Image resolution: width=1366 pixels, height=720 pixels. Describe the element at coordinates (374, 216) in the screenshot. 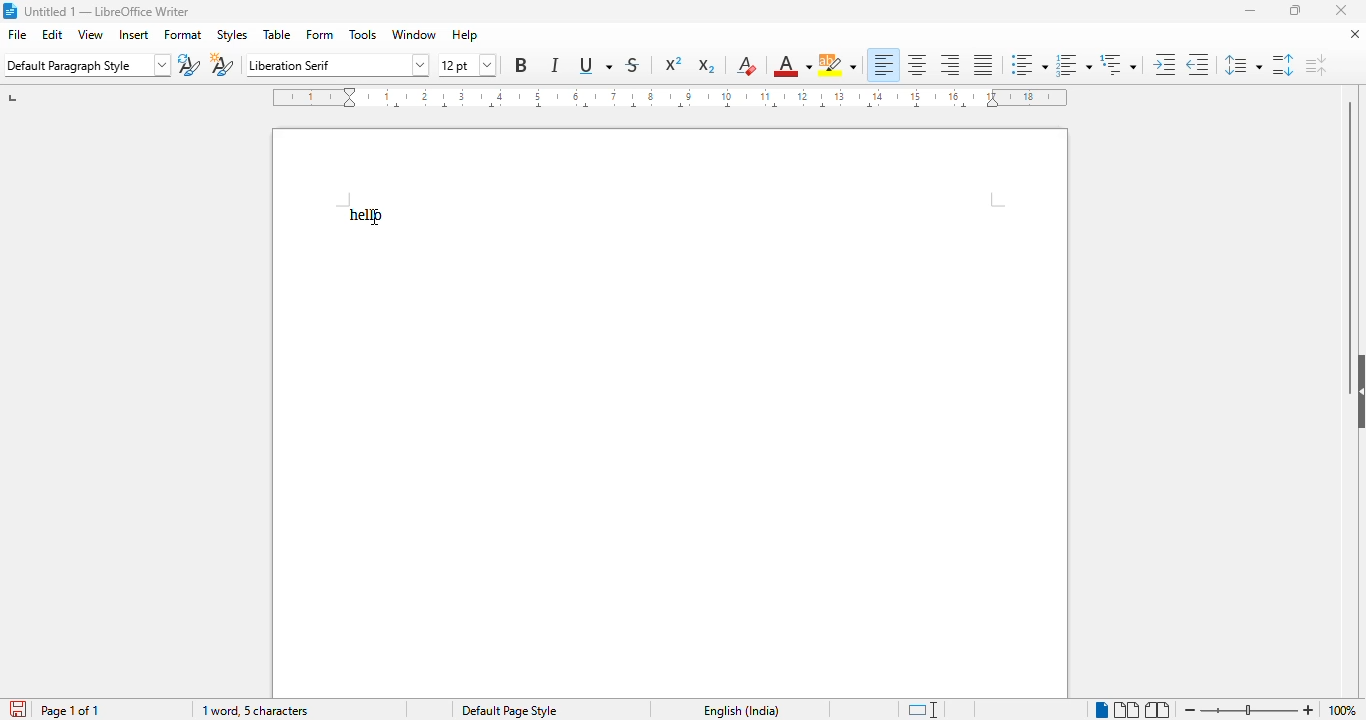

I see `cursor` at that location.